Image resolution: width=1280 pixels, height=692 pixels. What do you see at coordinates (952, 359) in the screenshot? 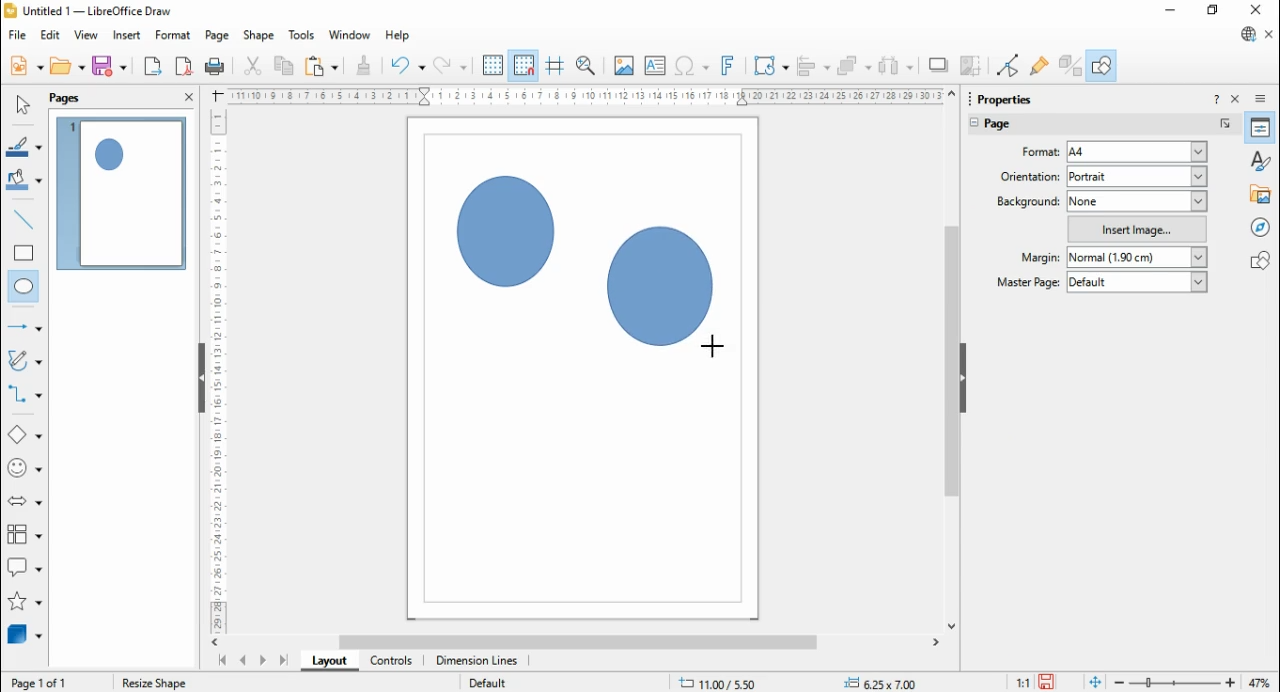
I see `scroll bar` at bounding box center [952, 359].